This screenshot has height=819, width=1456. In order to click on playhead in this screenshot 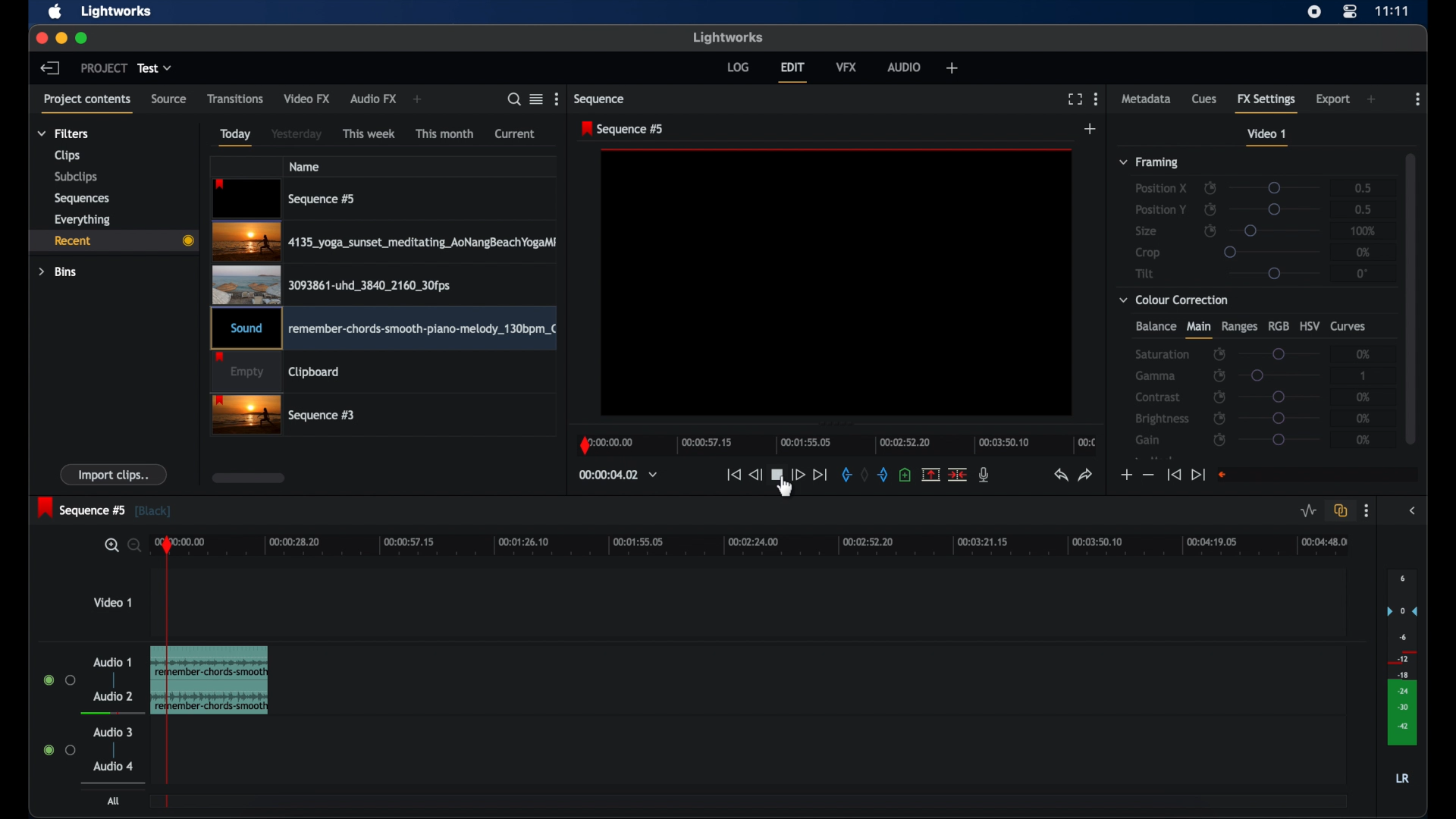, I will do `click(168, 667)`.